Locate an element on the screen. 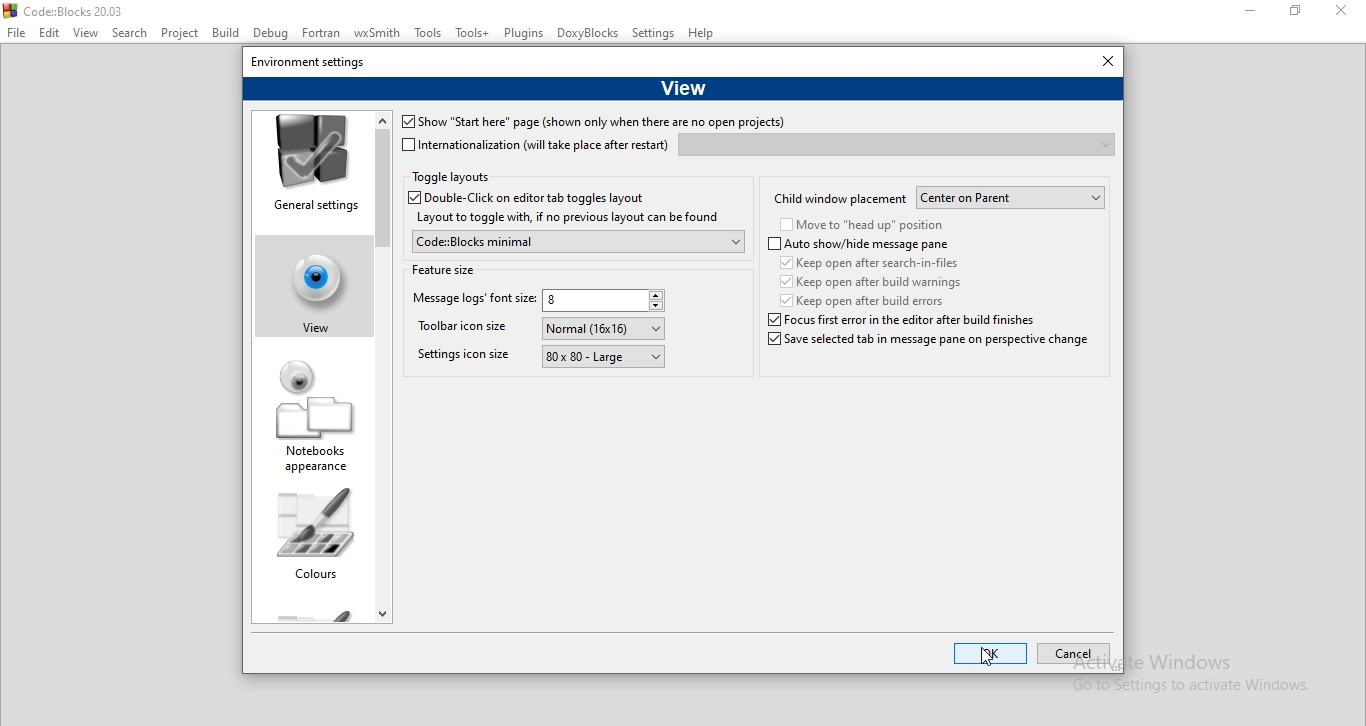 Image resolution: width=1366 pixels, height=726 pixels. Toggle layouts is located at coordinates (451, 178).